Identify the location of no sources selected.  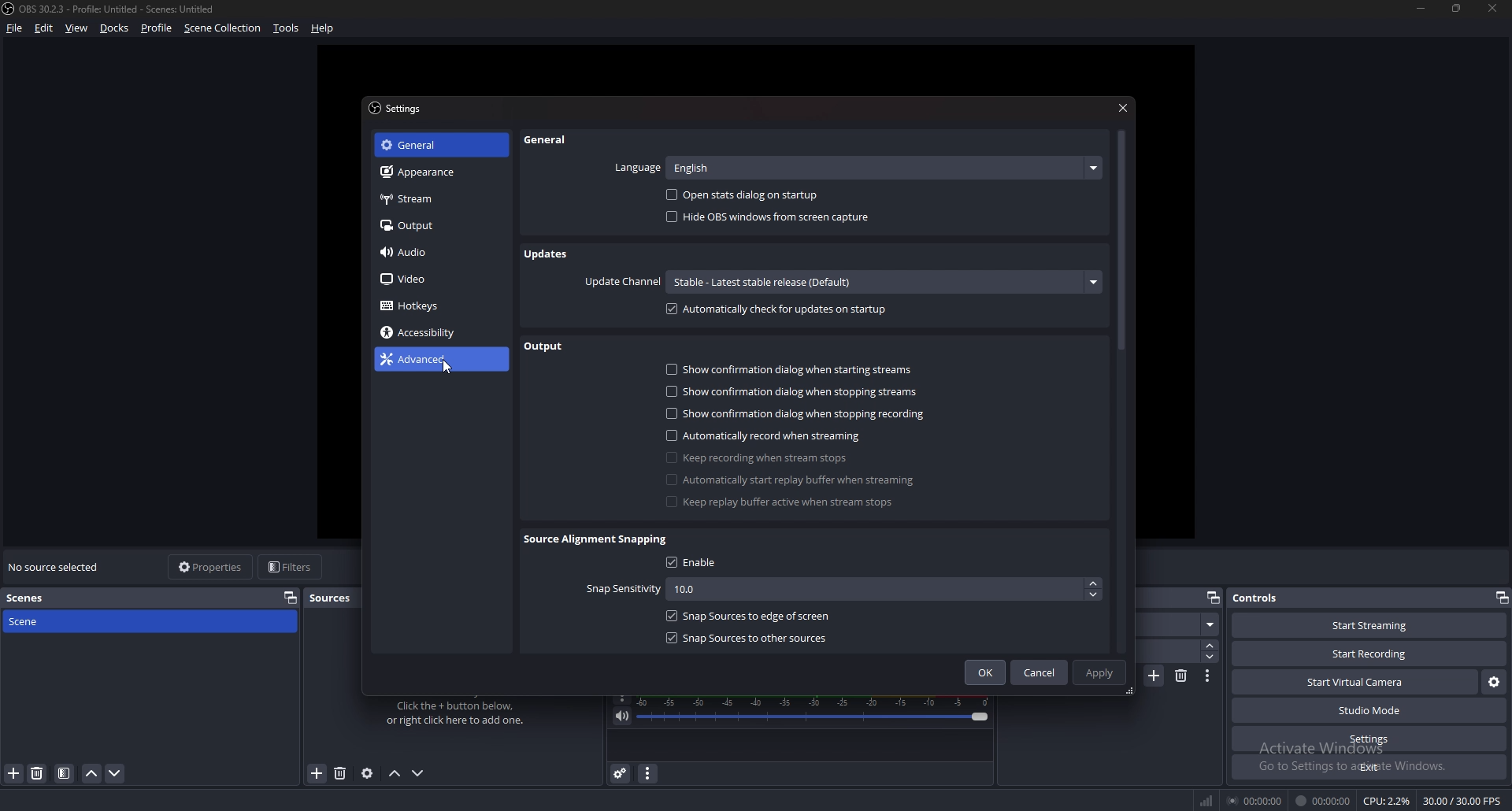
(57, 567).